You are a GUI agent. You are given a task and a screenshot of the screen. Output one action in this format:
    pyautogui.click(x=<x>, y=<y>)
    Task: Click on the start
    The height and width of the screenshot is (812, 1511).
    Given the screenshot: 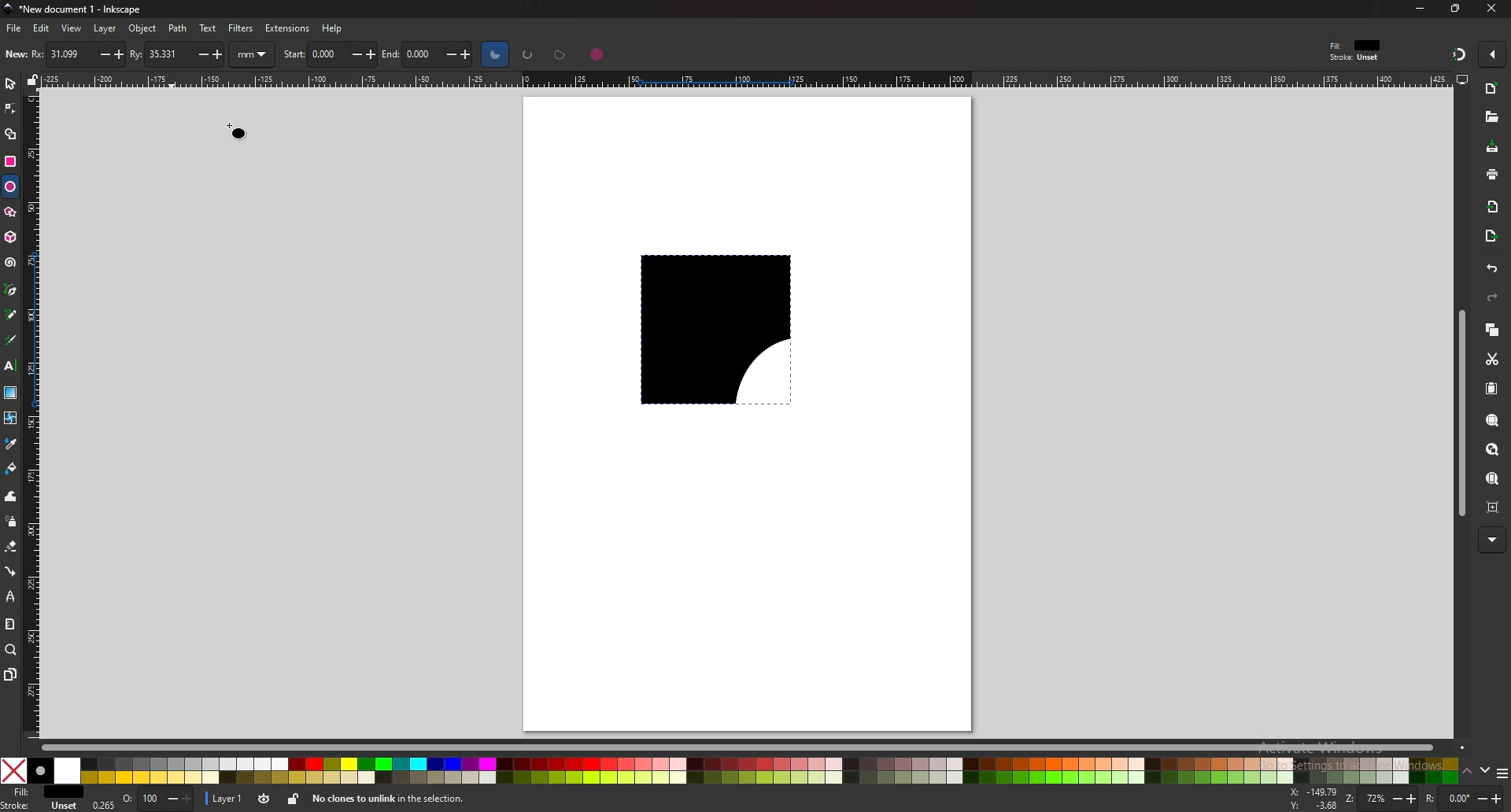 What is the action you would take?
    pyautogui.click(x=331, y=53)
    